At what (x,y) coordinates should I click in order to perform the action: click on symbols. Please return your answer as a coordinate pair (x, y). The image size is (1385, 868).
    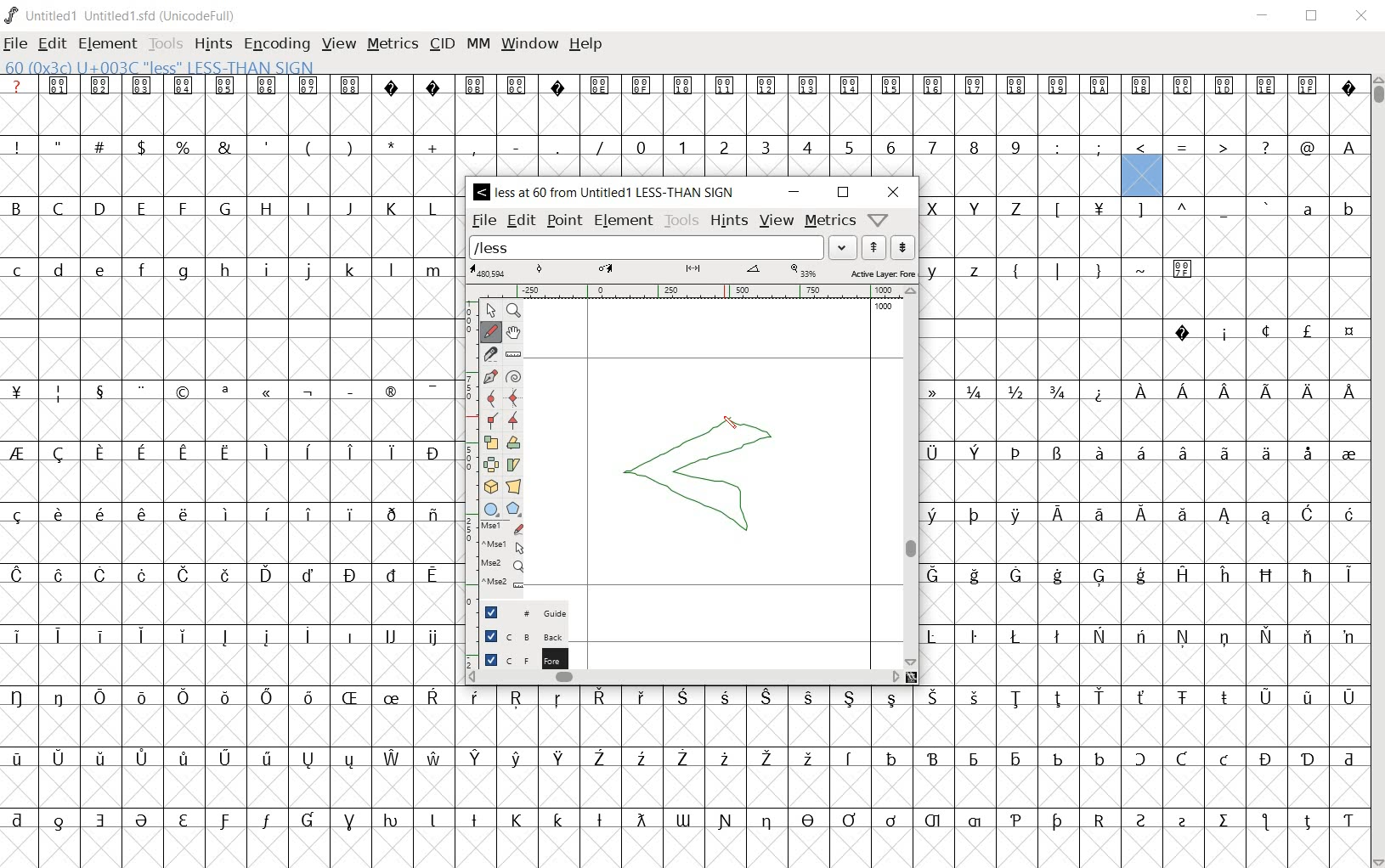
    Looking at the image, I should click on (309, 146).